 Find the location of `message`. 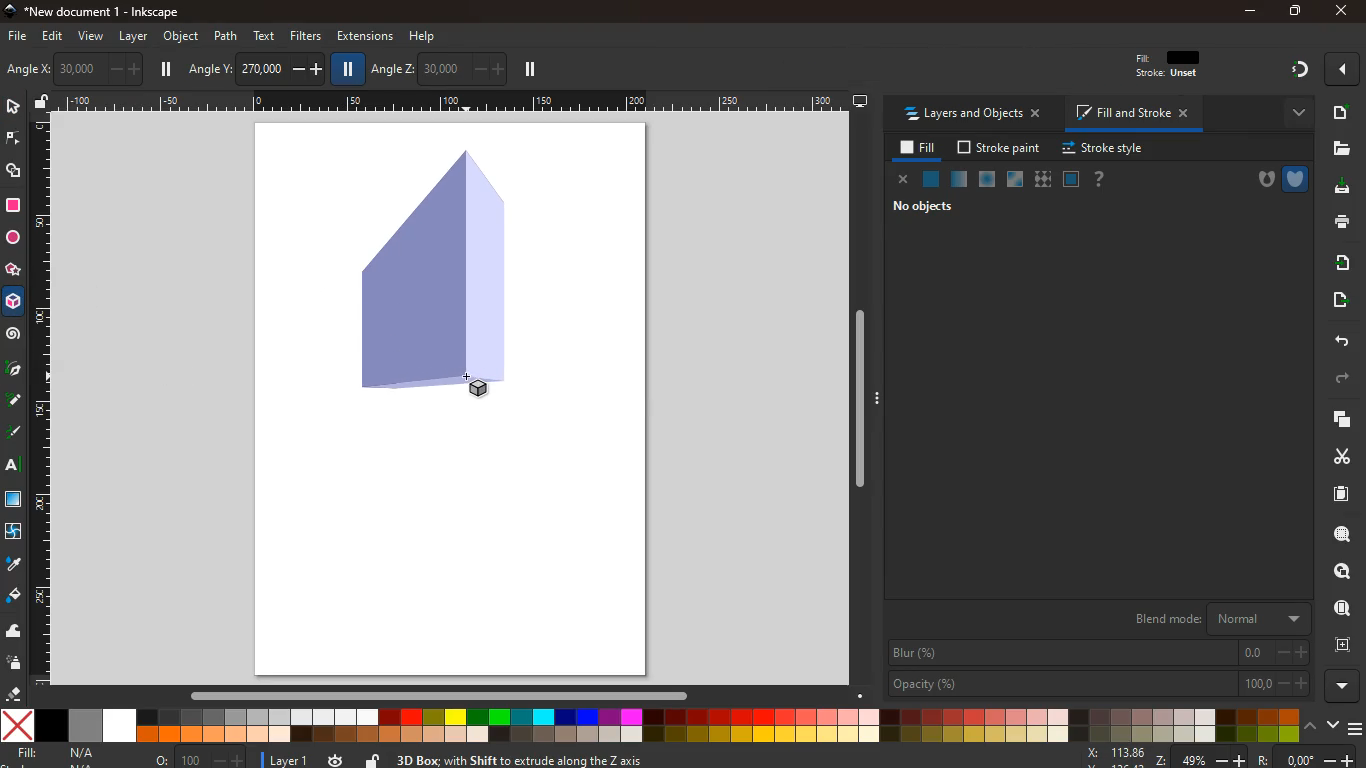

message is located at coordinates (705, 759).